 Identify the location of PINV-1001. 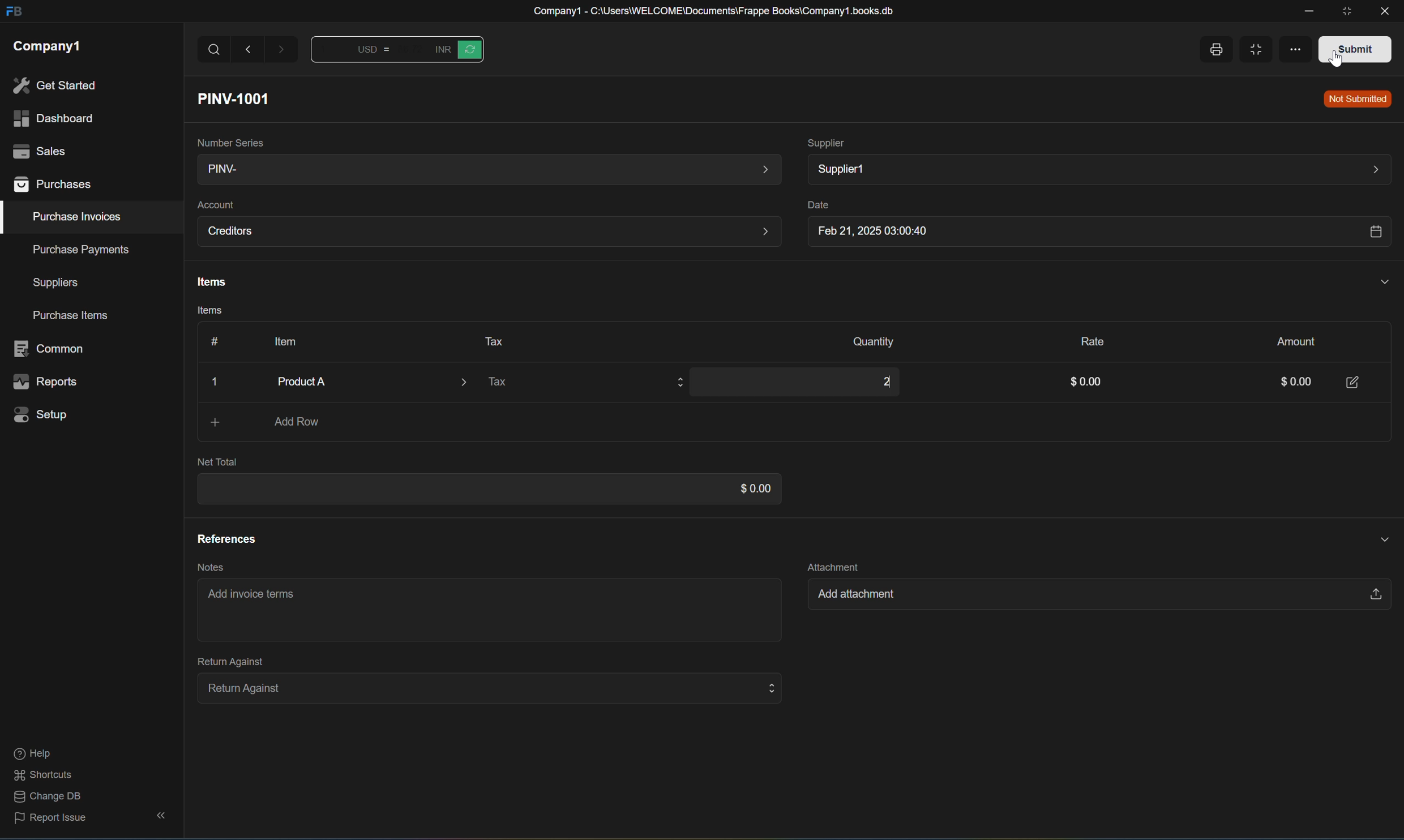
(238, 98).